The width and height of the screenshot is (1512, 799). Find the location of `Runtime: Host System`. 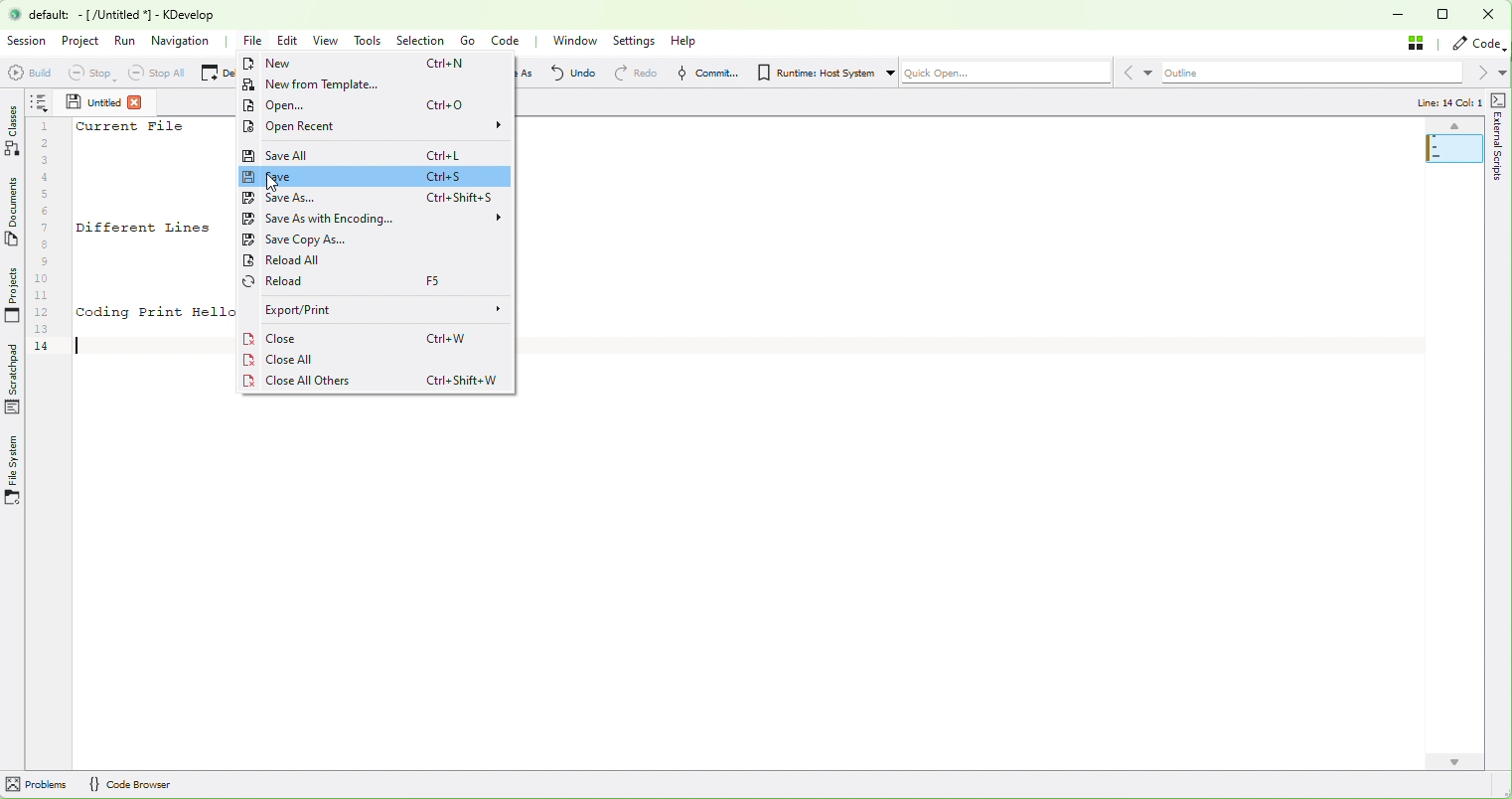

Runtime: Host System is located at coordinates (822, 72).